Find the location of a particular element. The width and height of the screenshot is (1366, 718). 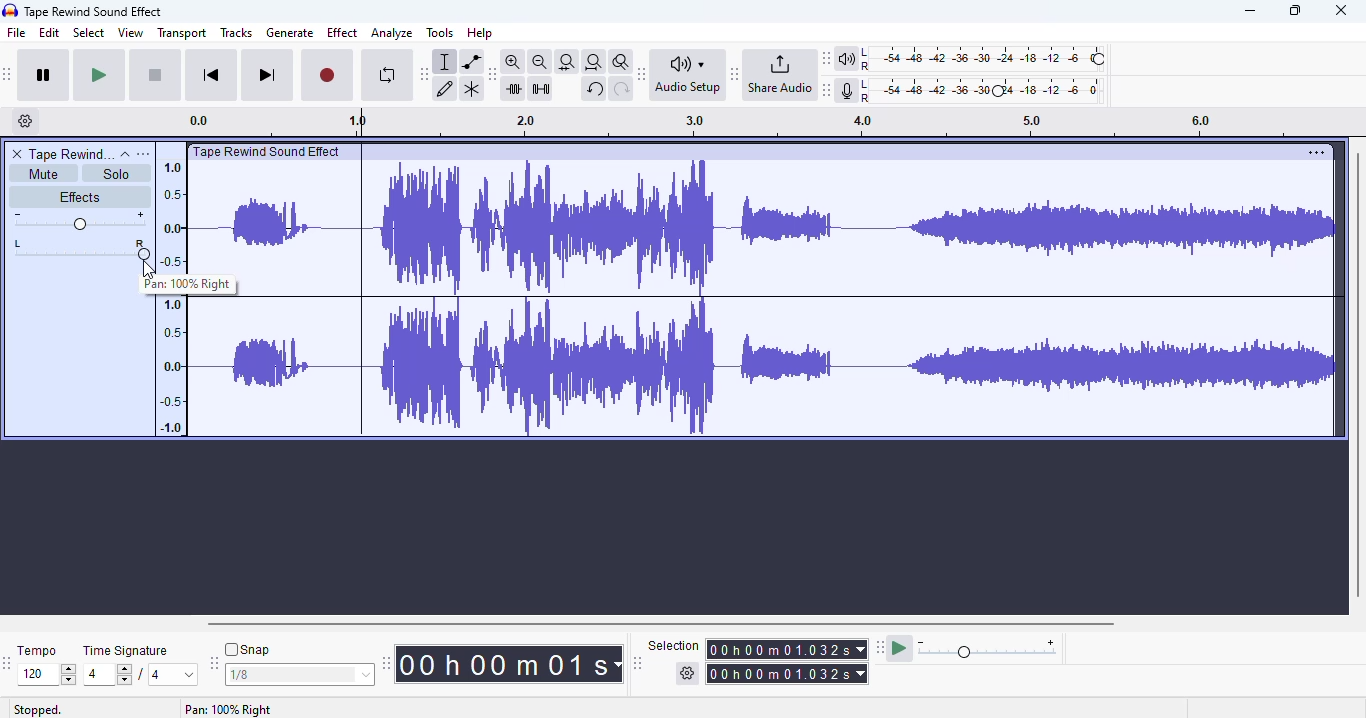

logo is located at coordinates (10, 10).